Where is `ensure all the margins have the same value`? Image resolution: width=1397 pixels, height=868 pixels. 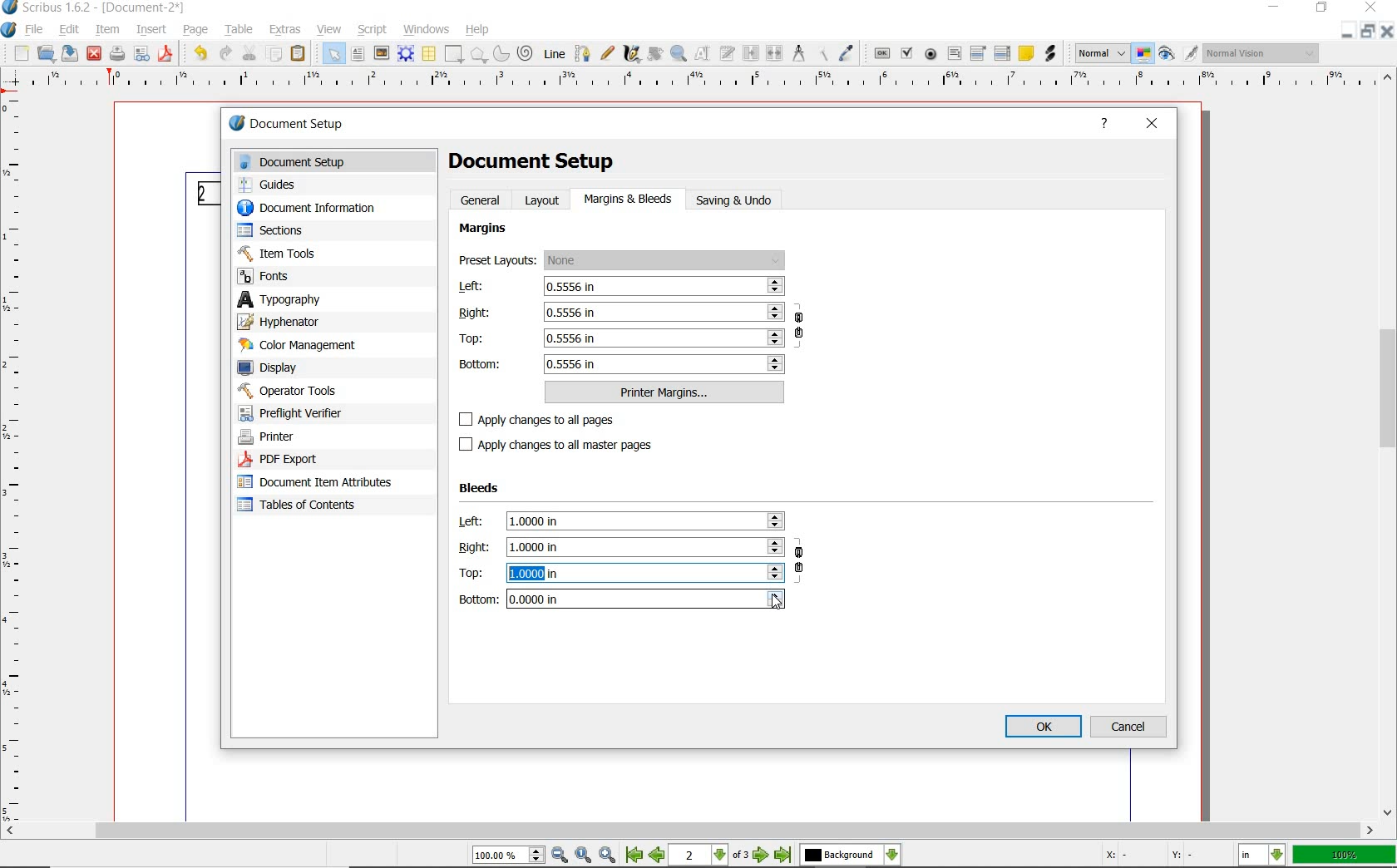
ensure all the margins have the same value is located at coordinates (800, 328).